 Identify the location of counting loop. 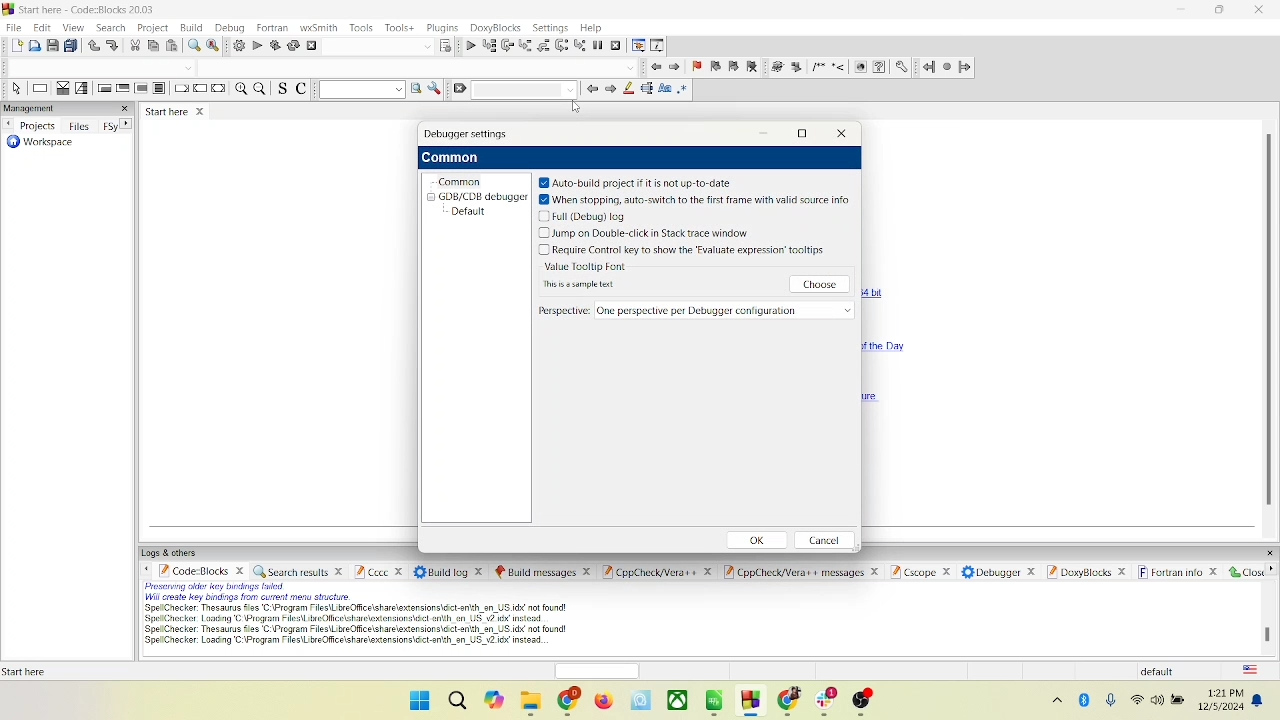
(142, 87).